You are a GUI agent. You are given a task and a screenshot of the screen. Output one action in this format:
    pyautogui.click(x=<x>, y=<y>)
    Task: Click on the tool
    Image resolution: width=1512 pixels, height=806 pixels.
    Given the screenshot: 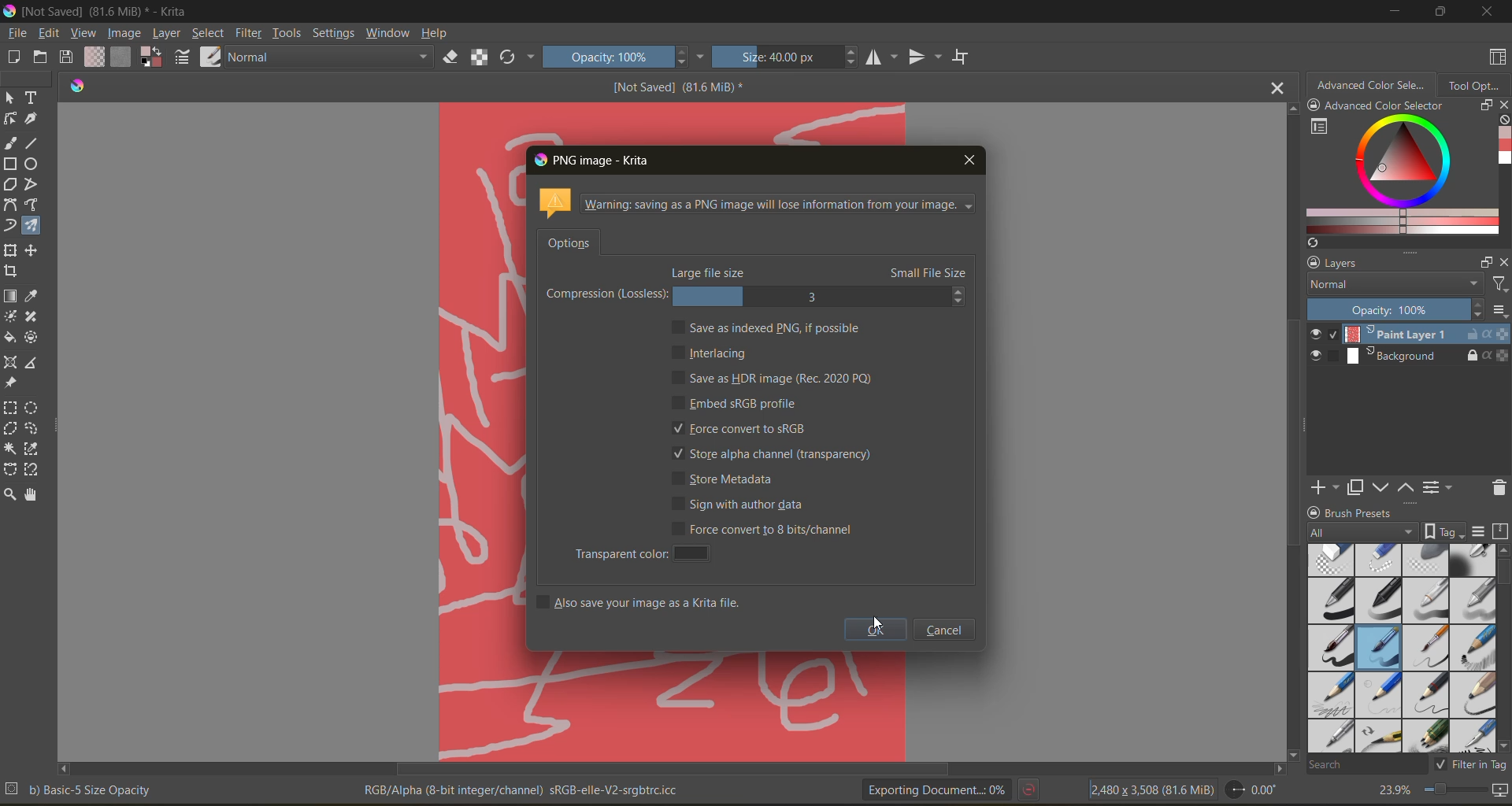 What is the action you would take?
    pyautogui.click(x=9, y=297)
    